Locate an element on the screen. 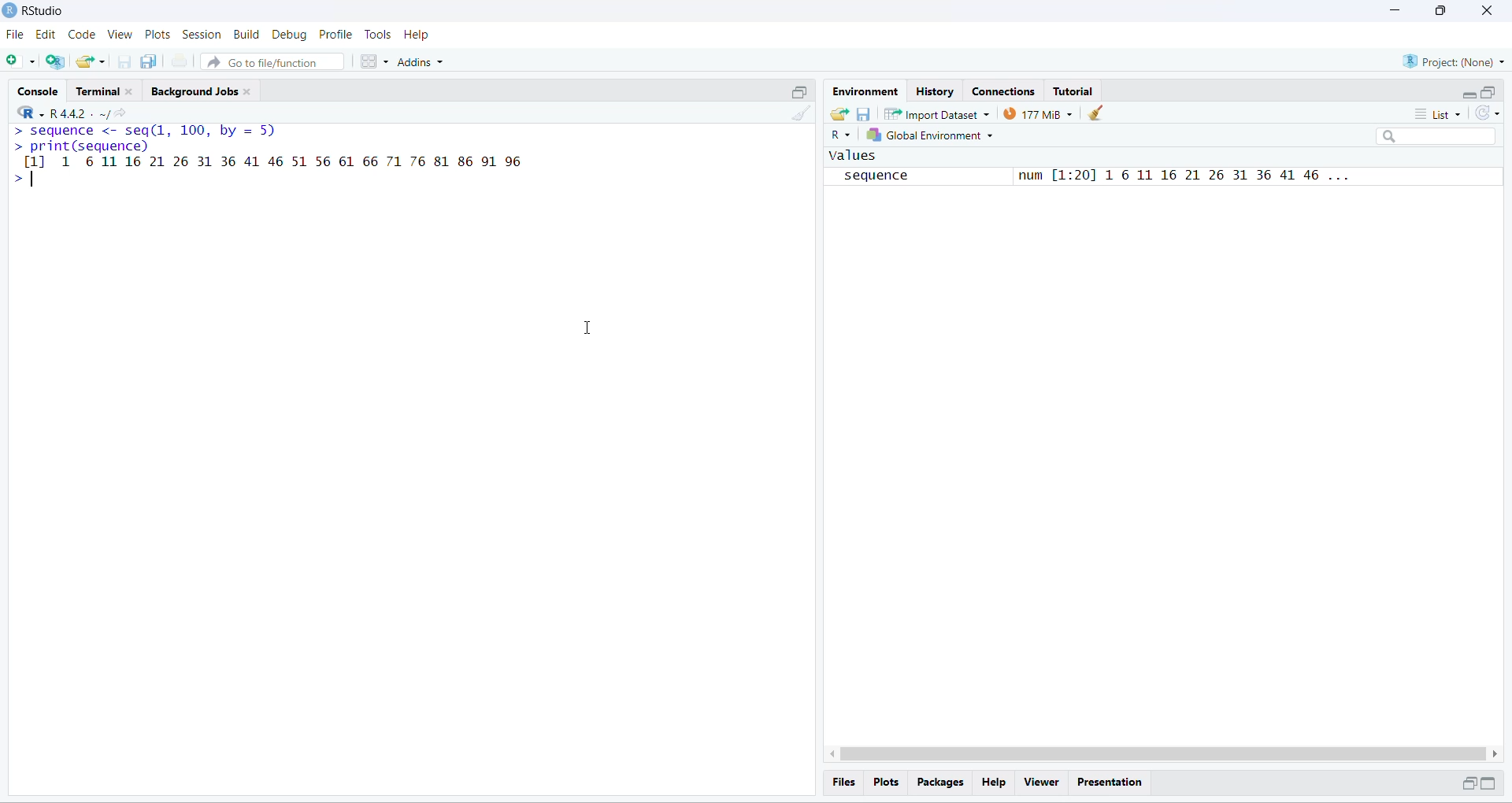  Expand/collapse is located at coordinates (1488, 783).